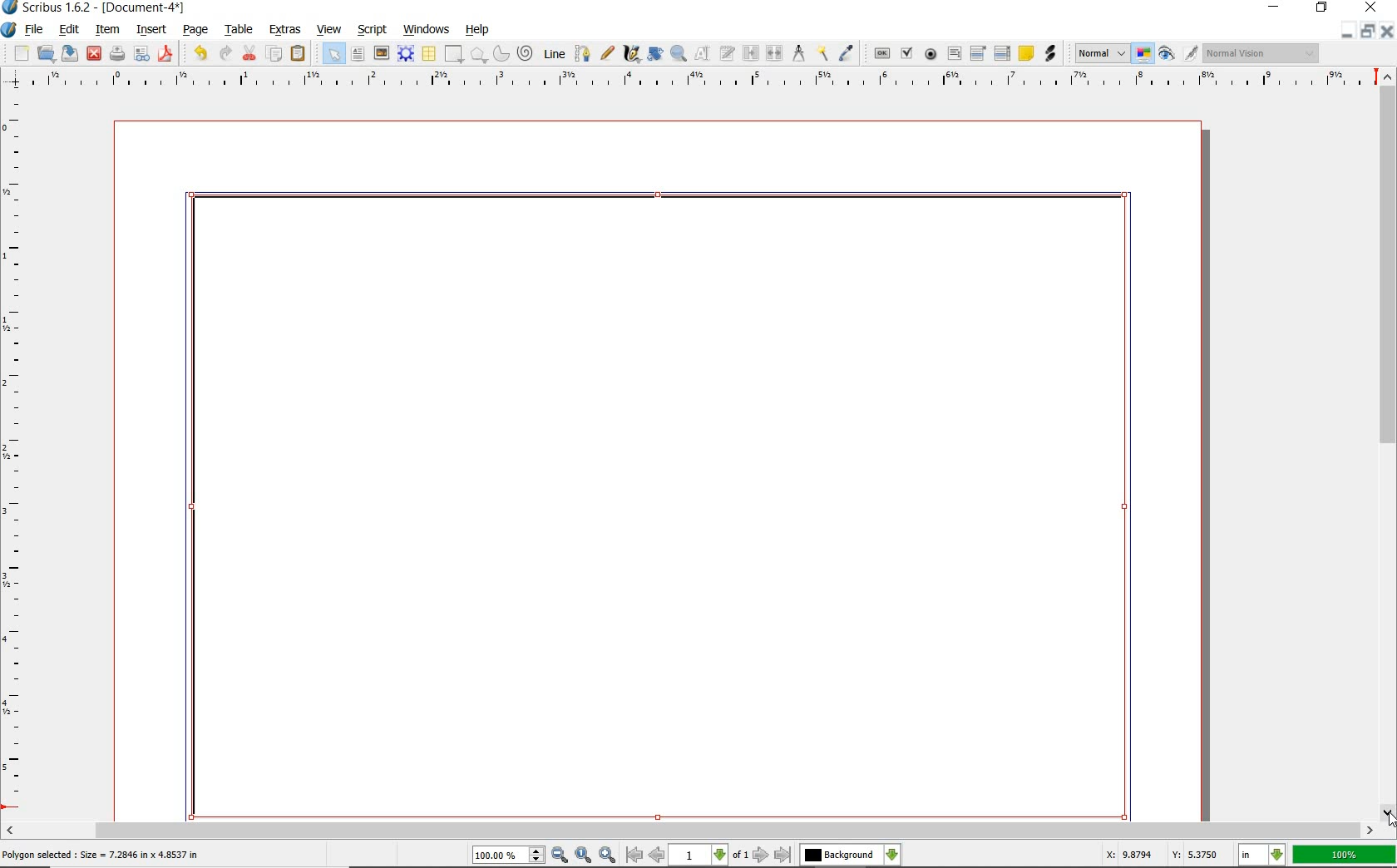 This screenshot has height=868, width=1397. I want to click on new, so click(16, 53).